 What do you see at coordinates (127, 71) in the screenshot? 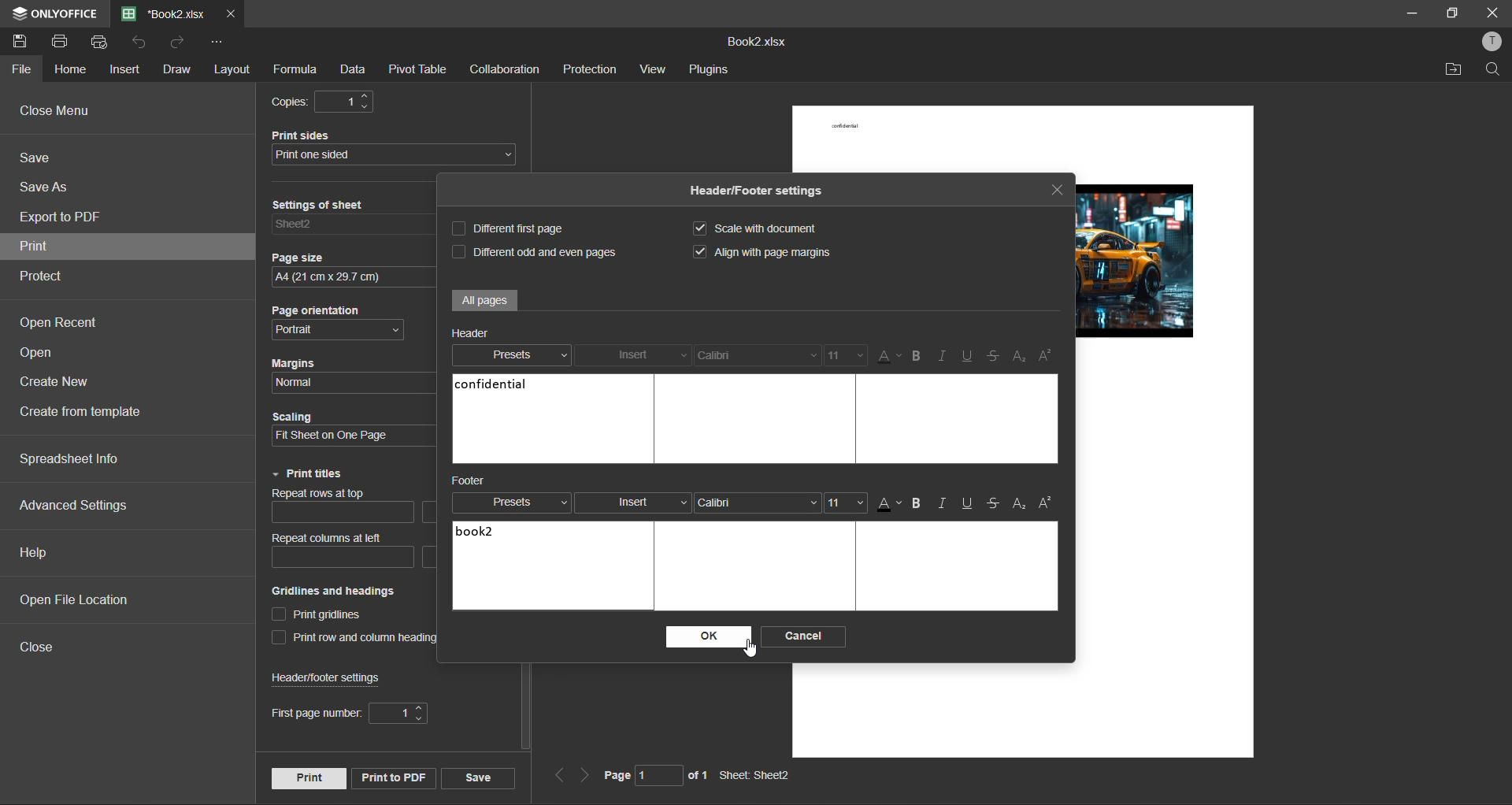
I see `insert` at bounding box center [127, 71].